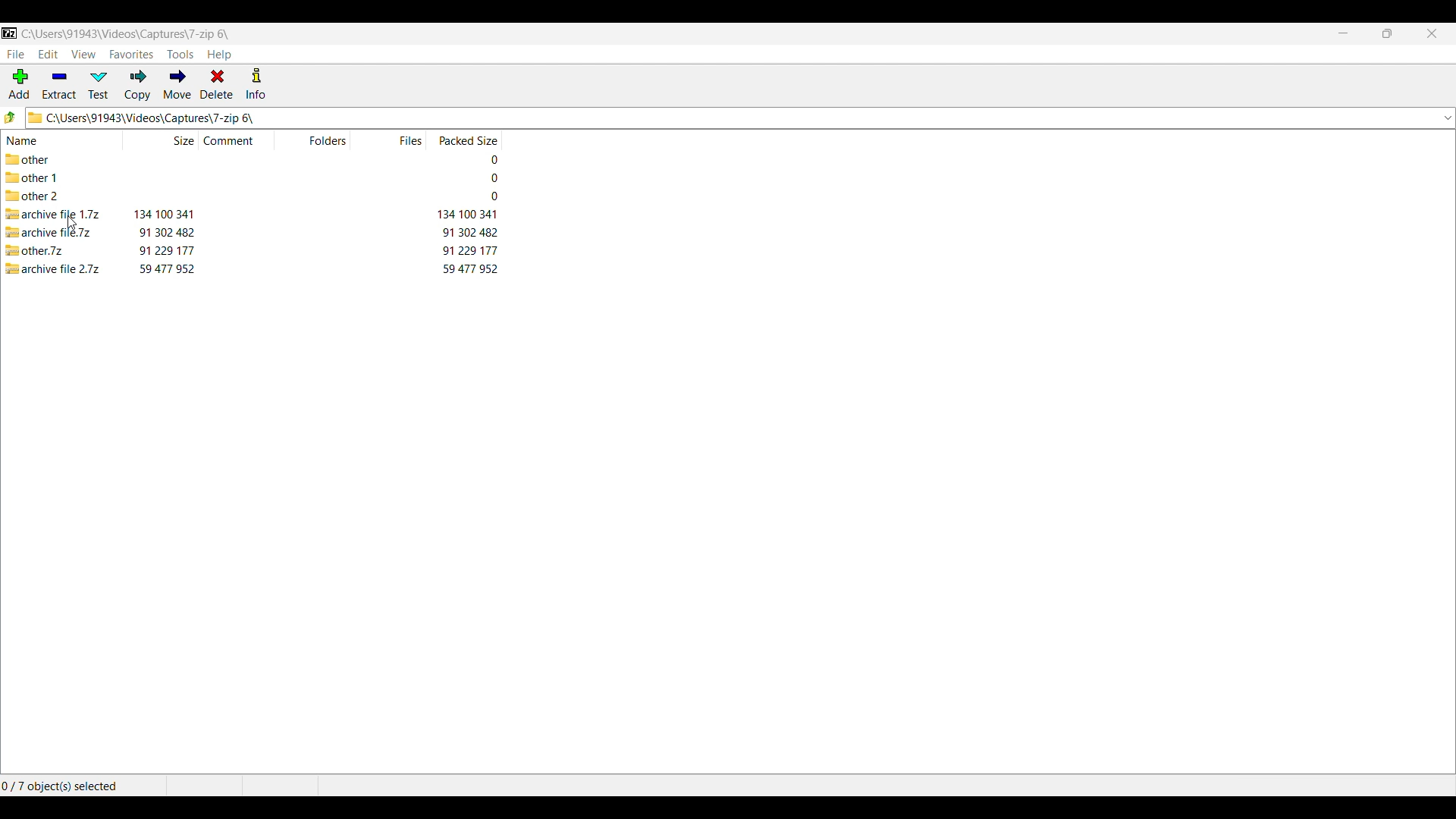  Describe the element at coordinates (720, 118) in the screenshot. I see `C\Users\91943\Videos\Captures\7-zip 6\` at that location.